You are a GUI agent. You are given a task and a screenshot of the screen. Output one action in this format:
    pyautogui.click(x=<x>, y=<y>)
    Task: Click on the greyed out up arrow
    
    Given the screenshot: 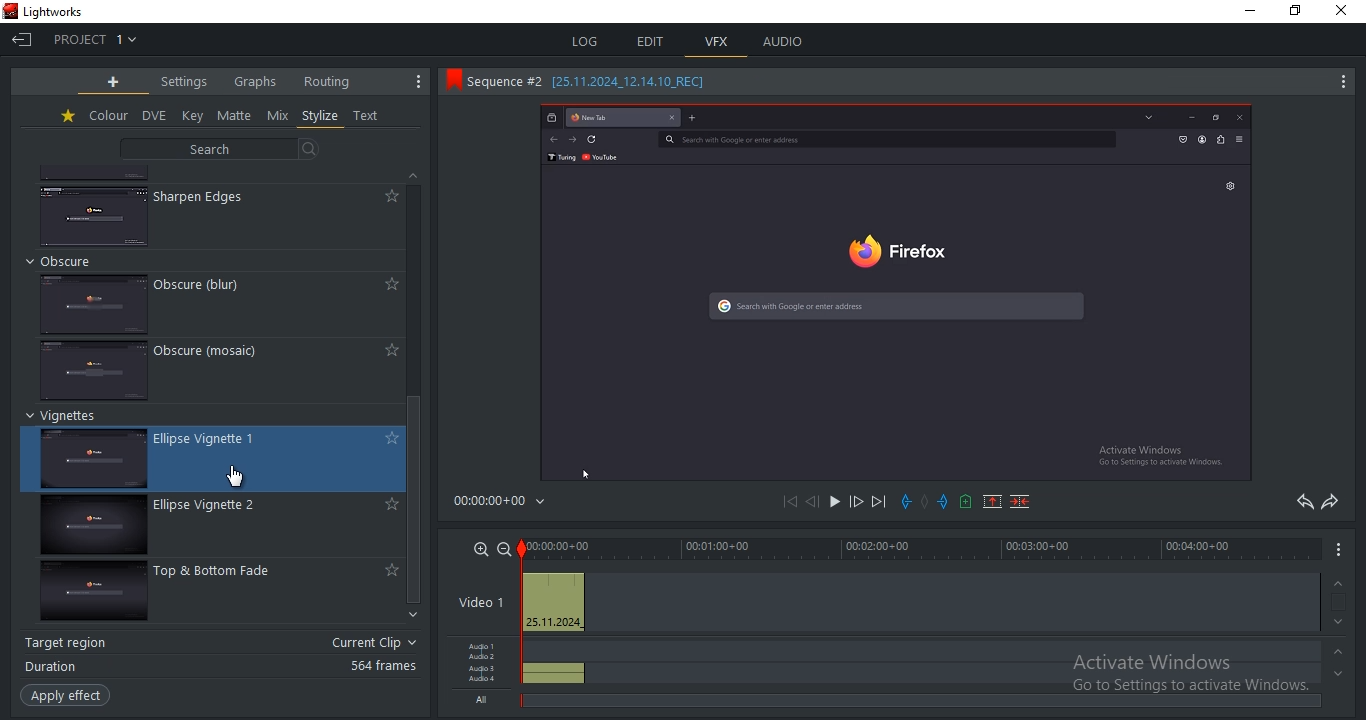 What is the action you would take?
    pyautogui.click(x=1340, y=582)
    